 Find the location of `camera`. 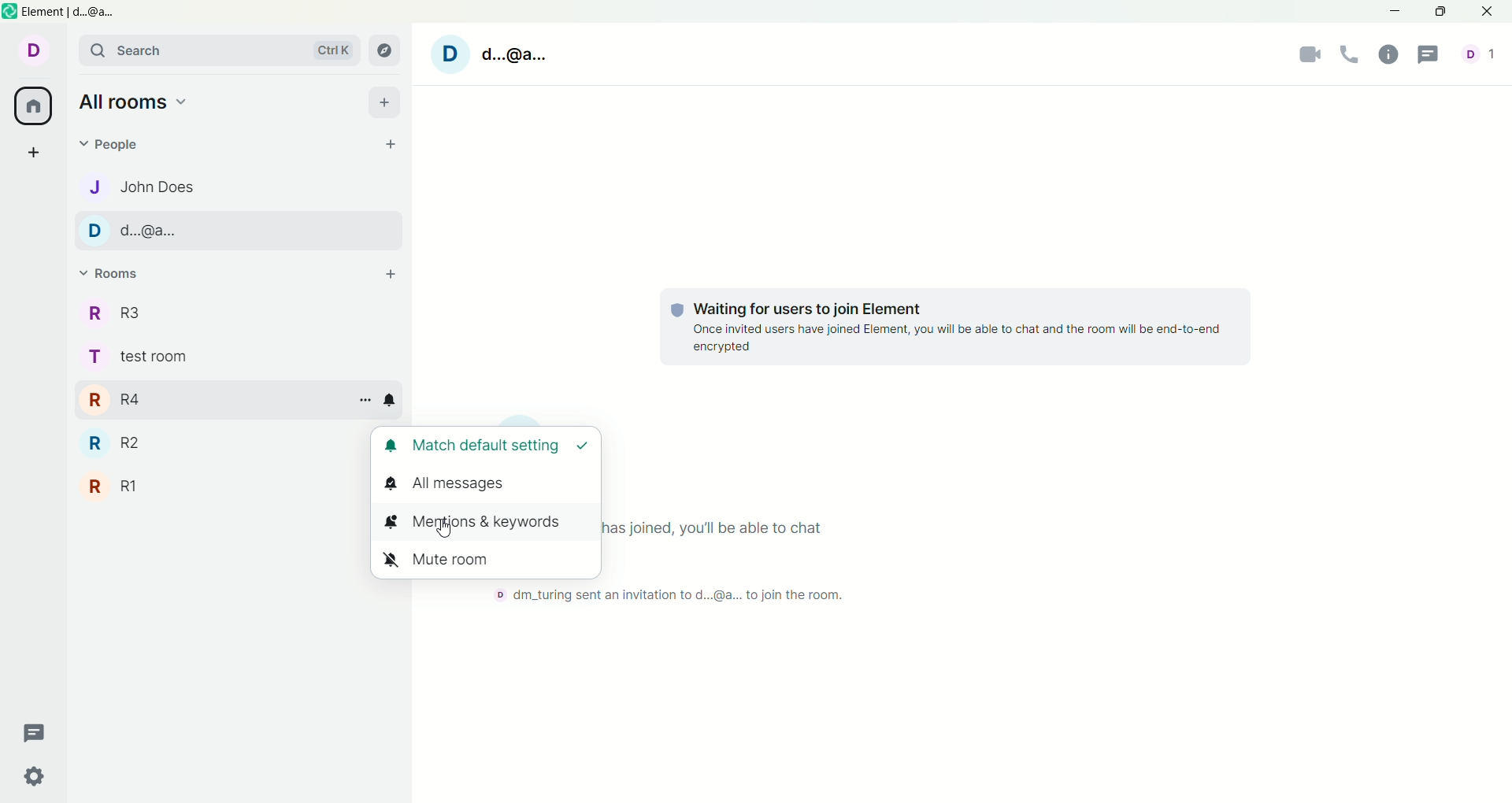

camera is located at coordinates (1307, 56).